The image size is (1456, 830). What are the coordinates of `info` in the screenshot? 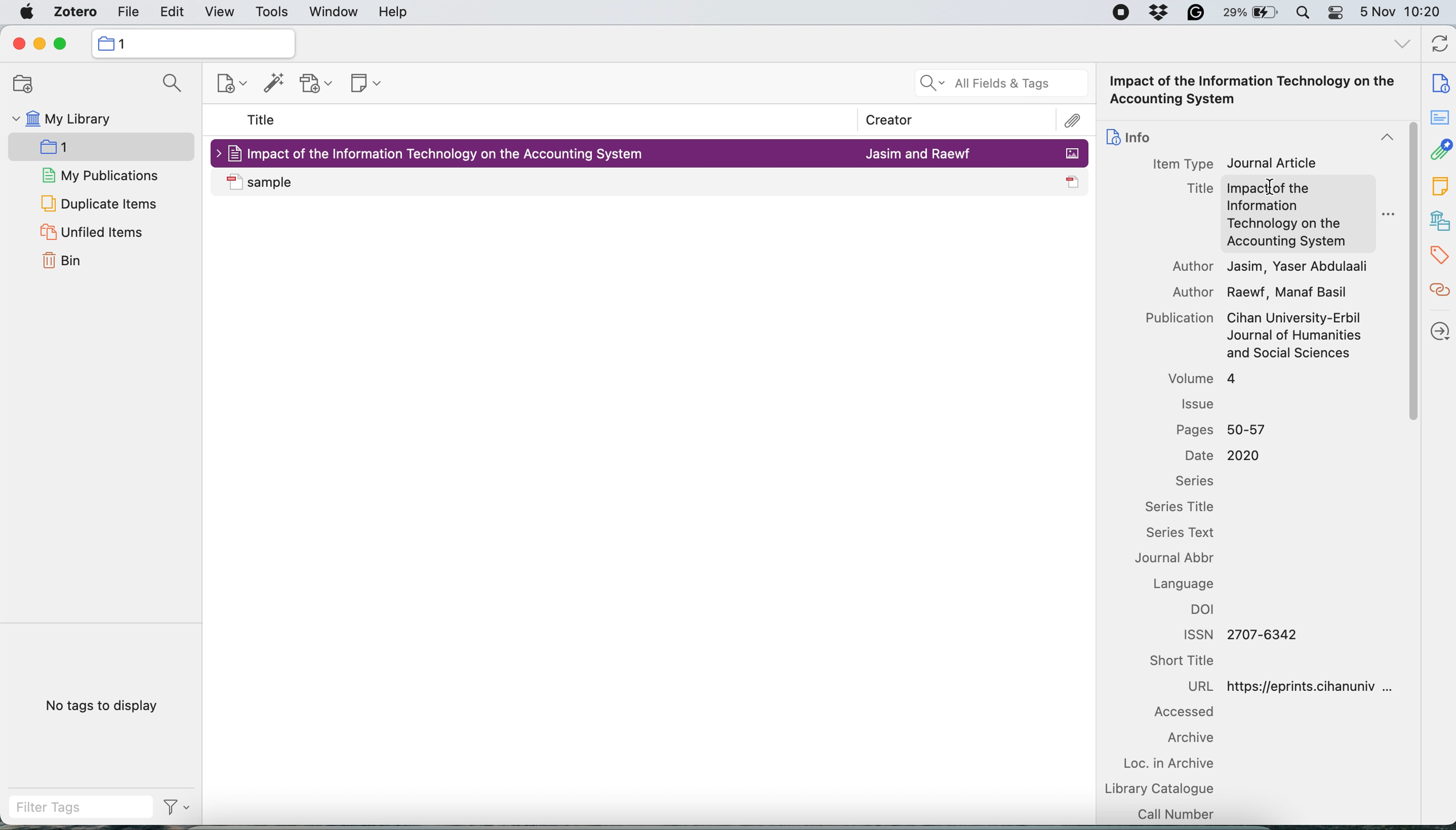 It's located at (1141, 137).